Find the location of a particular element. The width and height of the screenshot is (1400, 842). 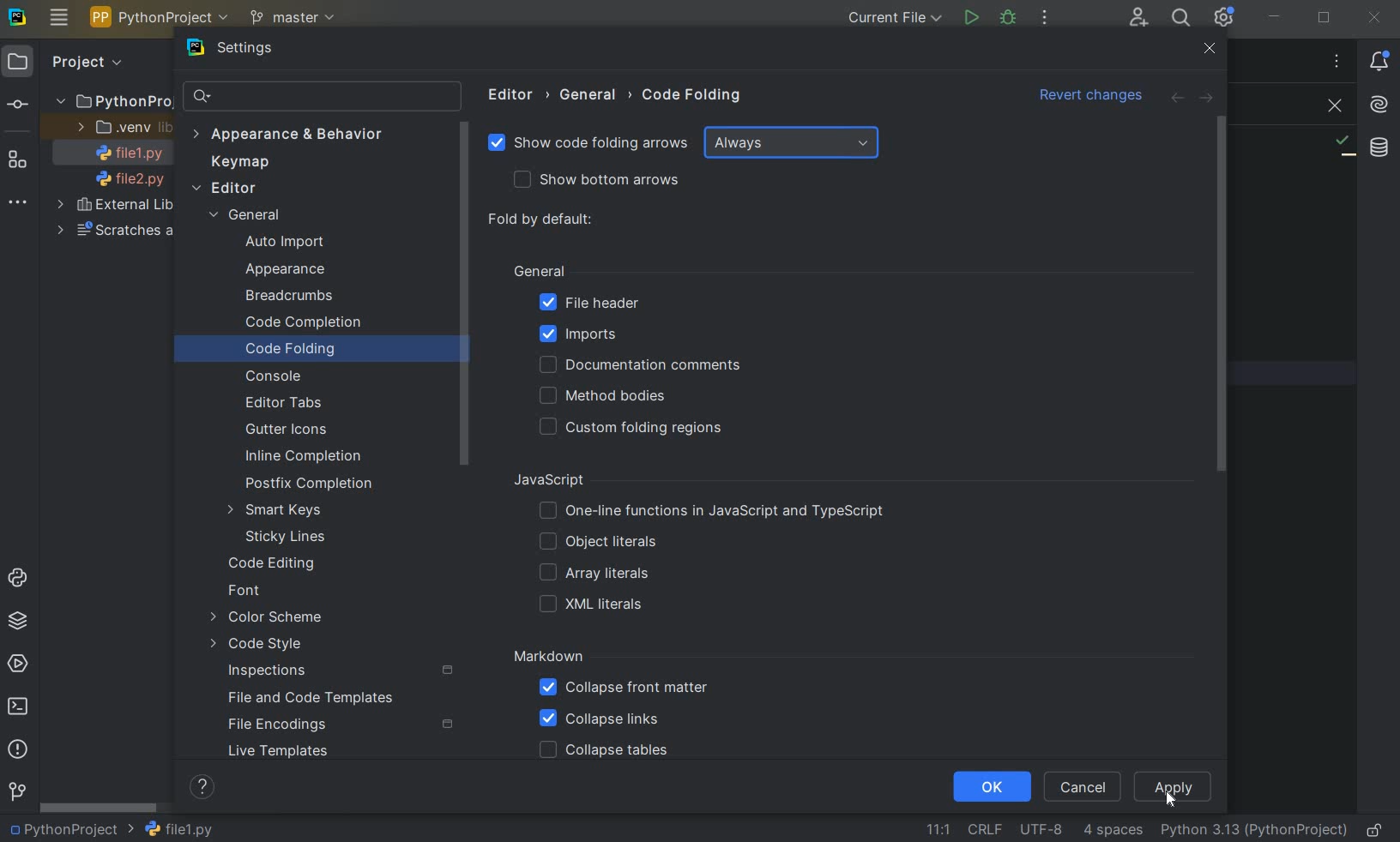

DATABASE is located at coordinates (1379, 147).